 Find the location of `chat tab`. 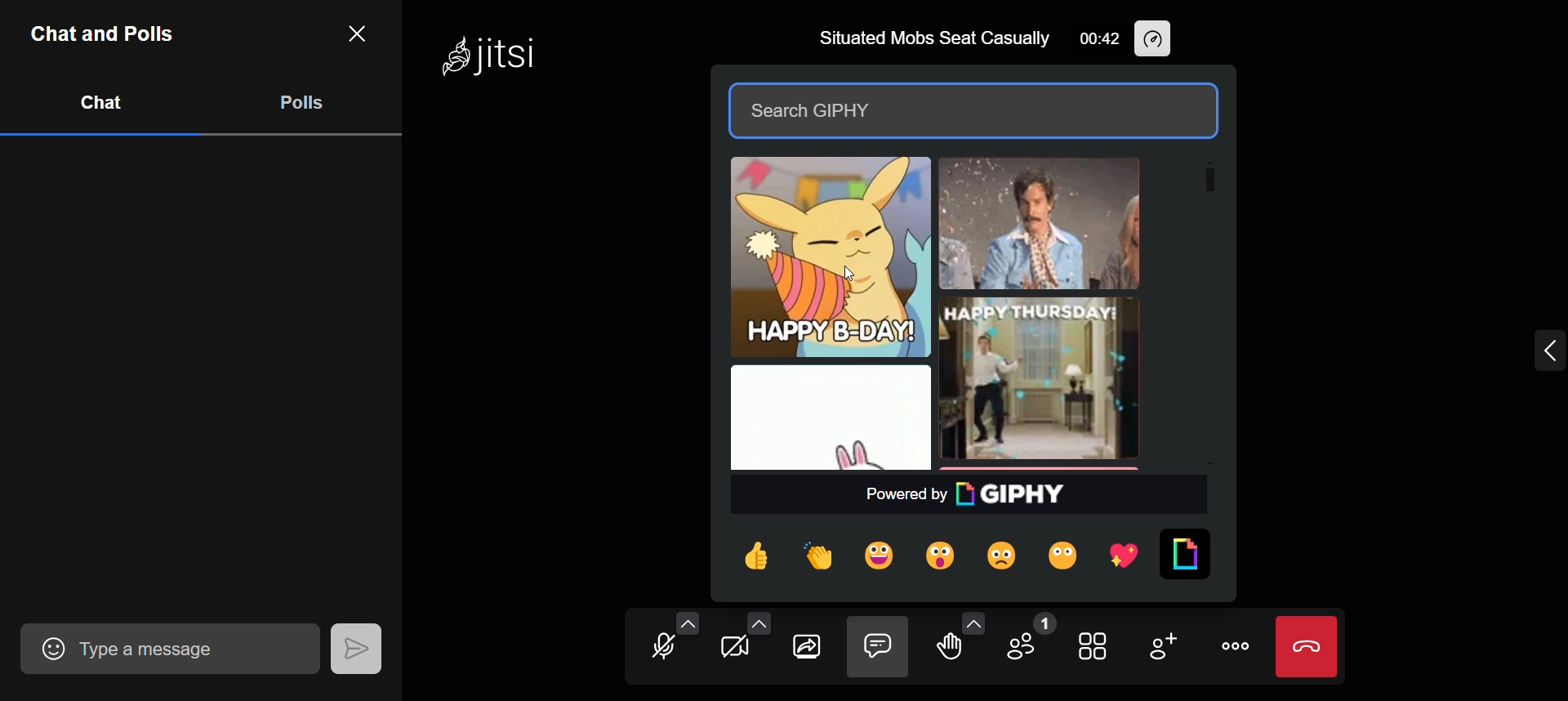

chat tab is located at coordinates (101, 101).